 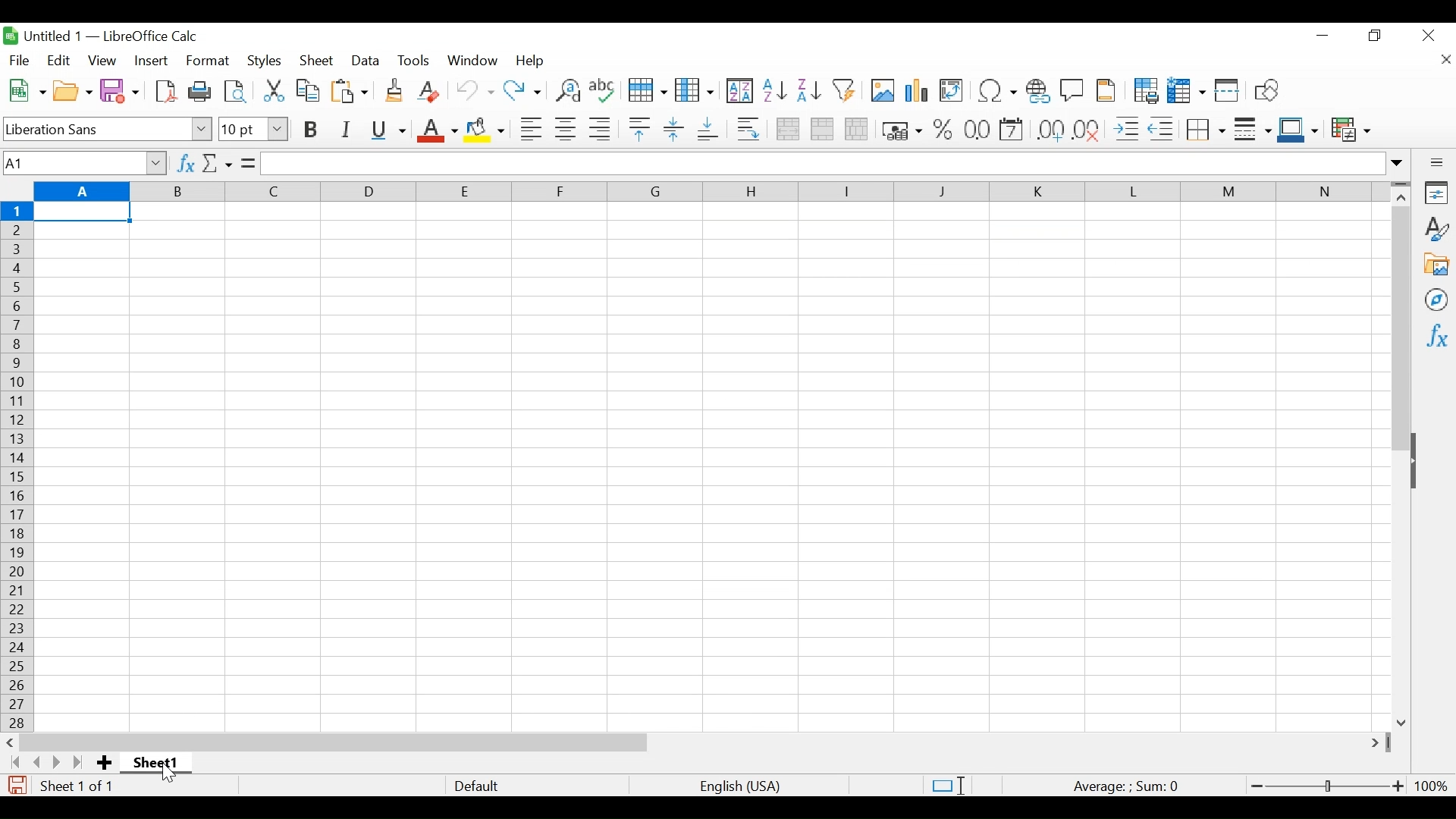 I want to click on language, so click(x=741, y=786).